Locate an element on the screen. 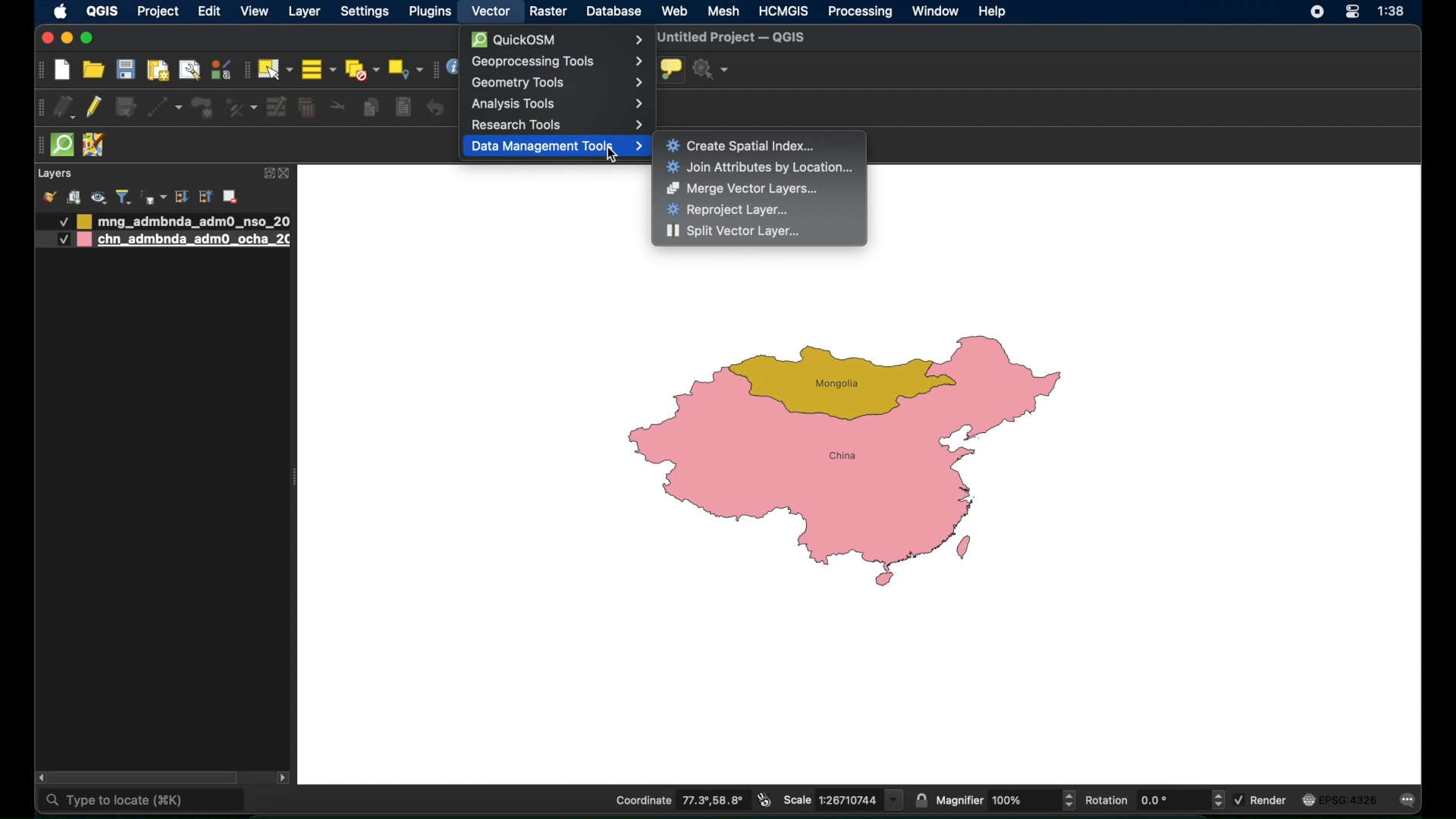 The image size is (1456, 819). layer is located at coordinates (305, 12).